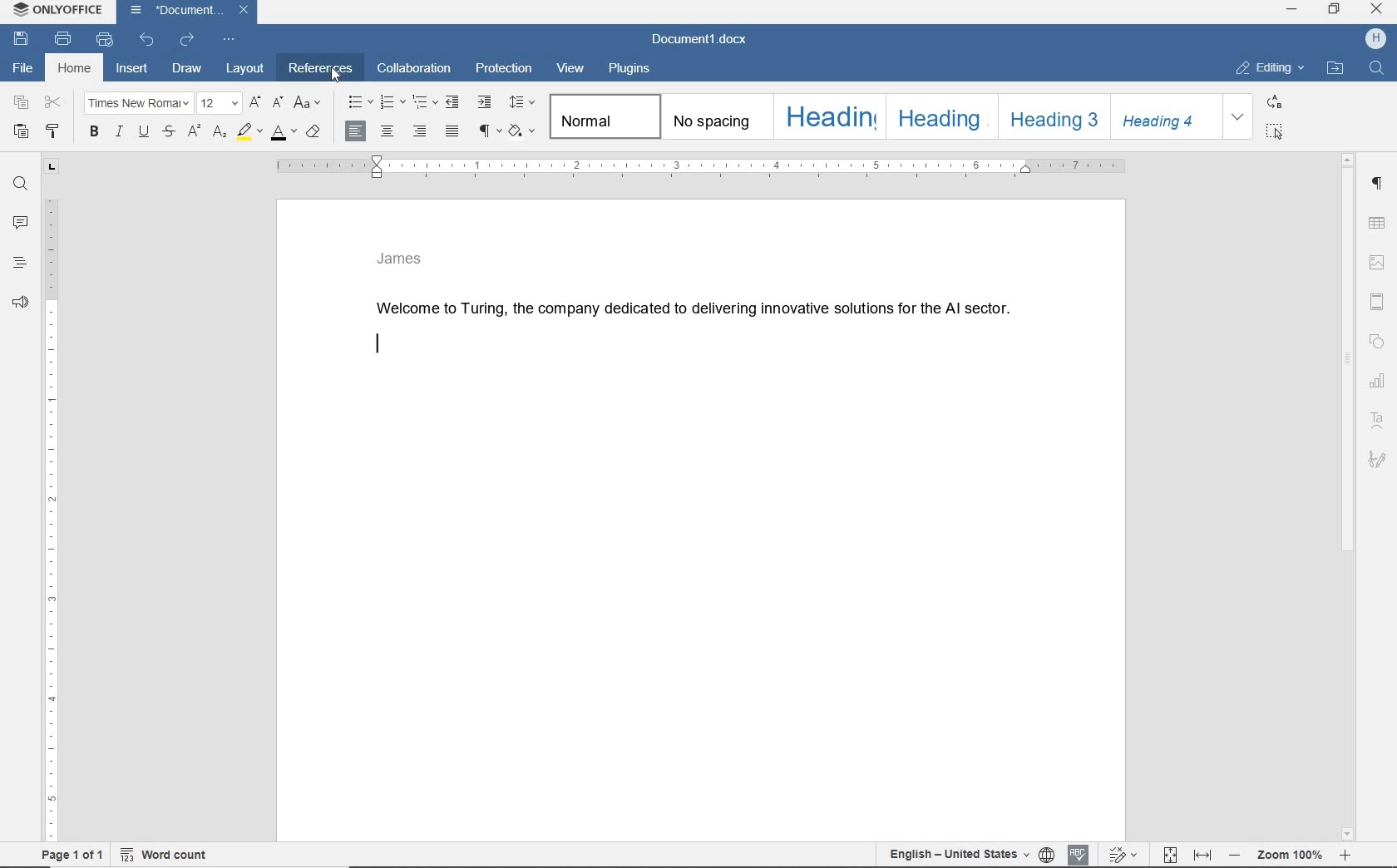 This screenshot has width=1397, height=868. I want to click on justified, so click(454, 131).